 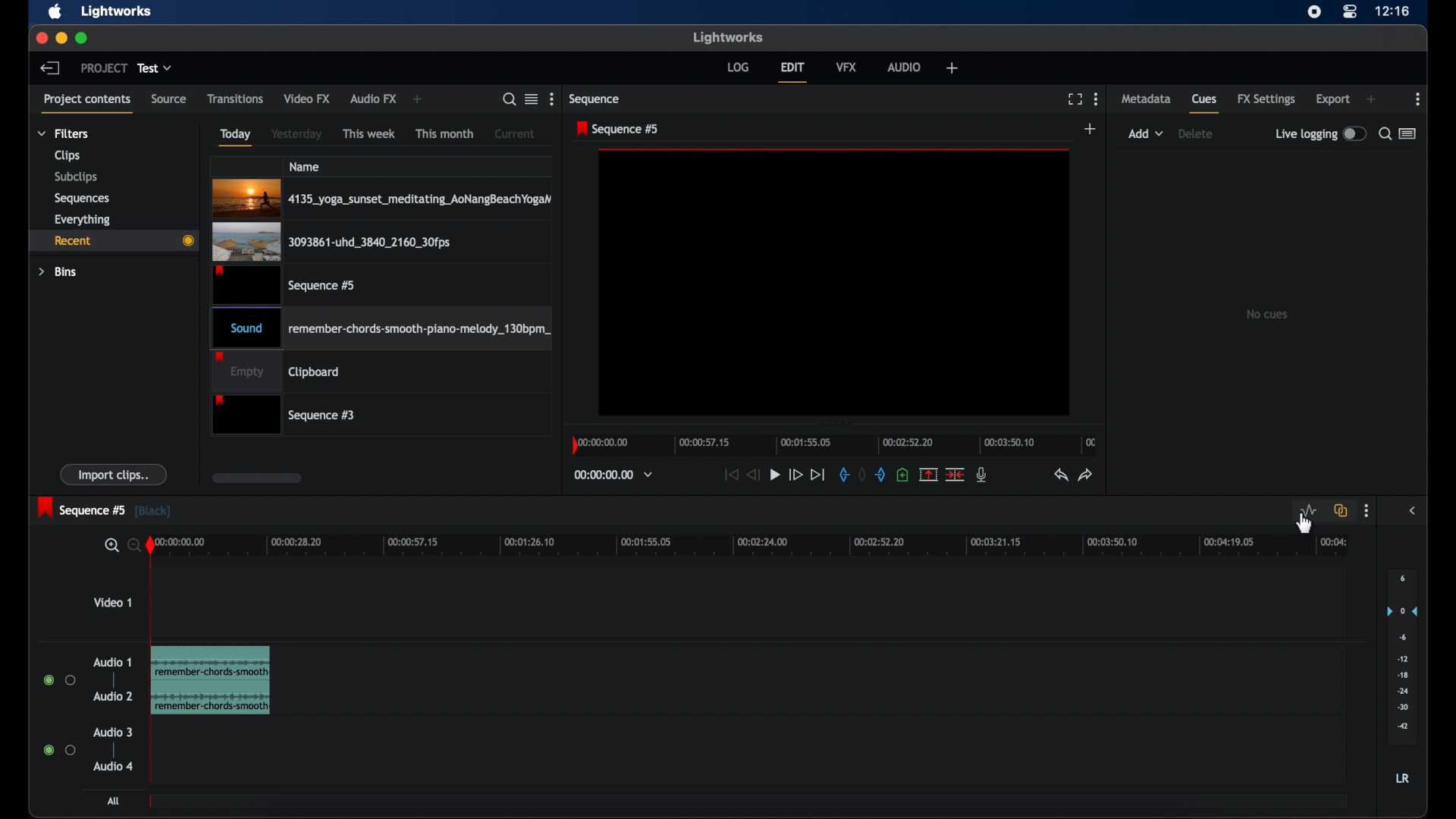 I want to click on add, so click(x=1146, y=133).